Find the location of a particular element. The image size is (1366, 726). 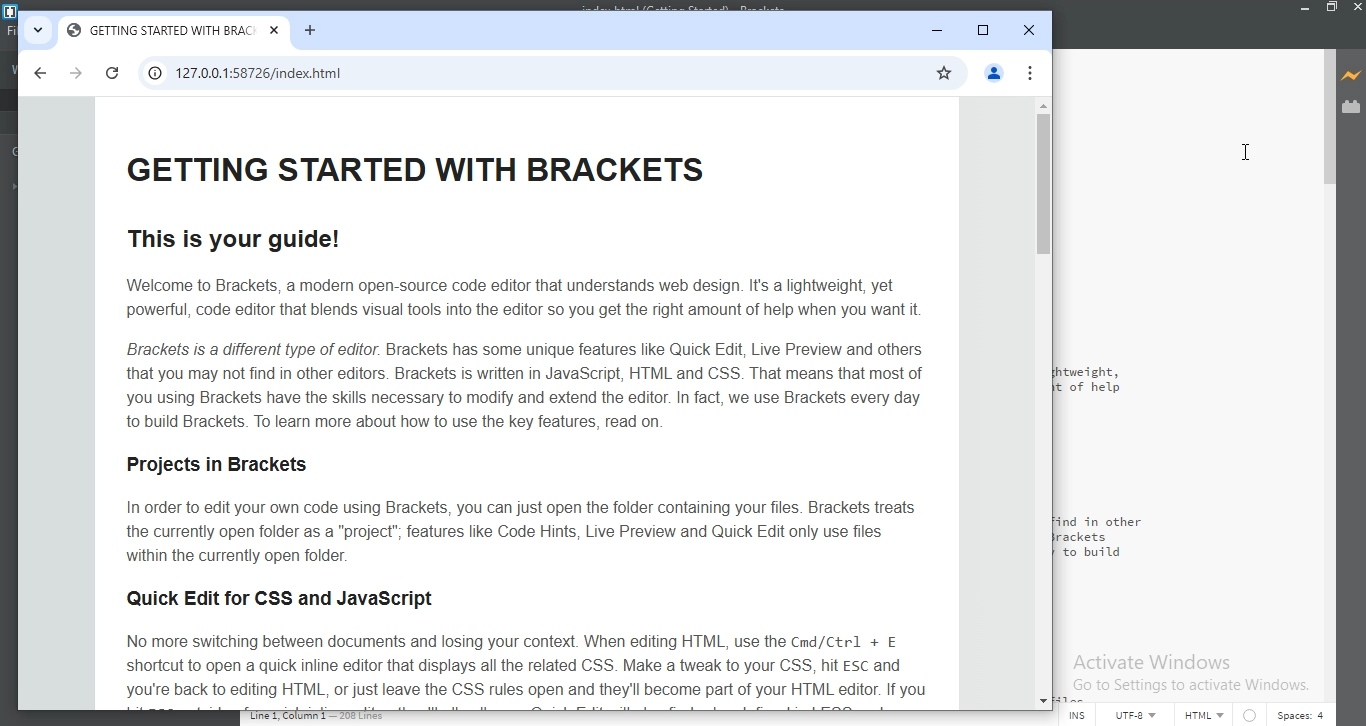

UTF-8 is located at coordinates (1134, 717).